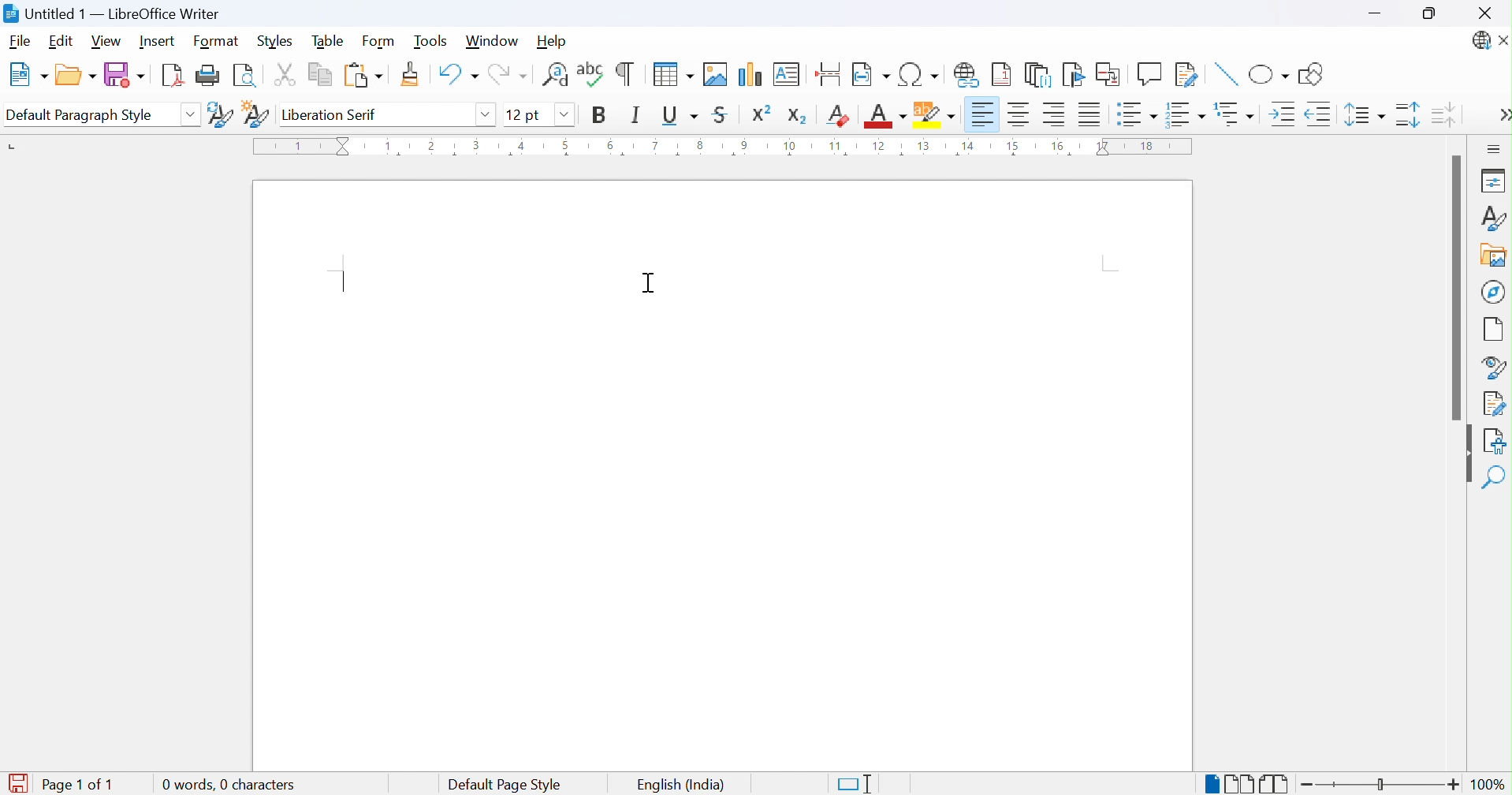 The image size is (1512, 795). Describe the element at coordinates (508, 73) in the screenshot. I see `Redo` at that location.